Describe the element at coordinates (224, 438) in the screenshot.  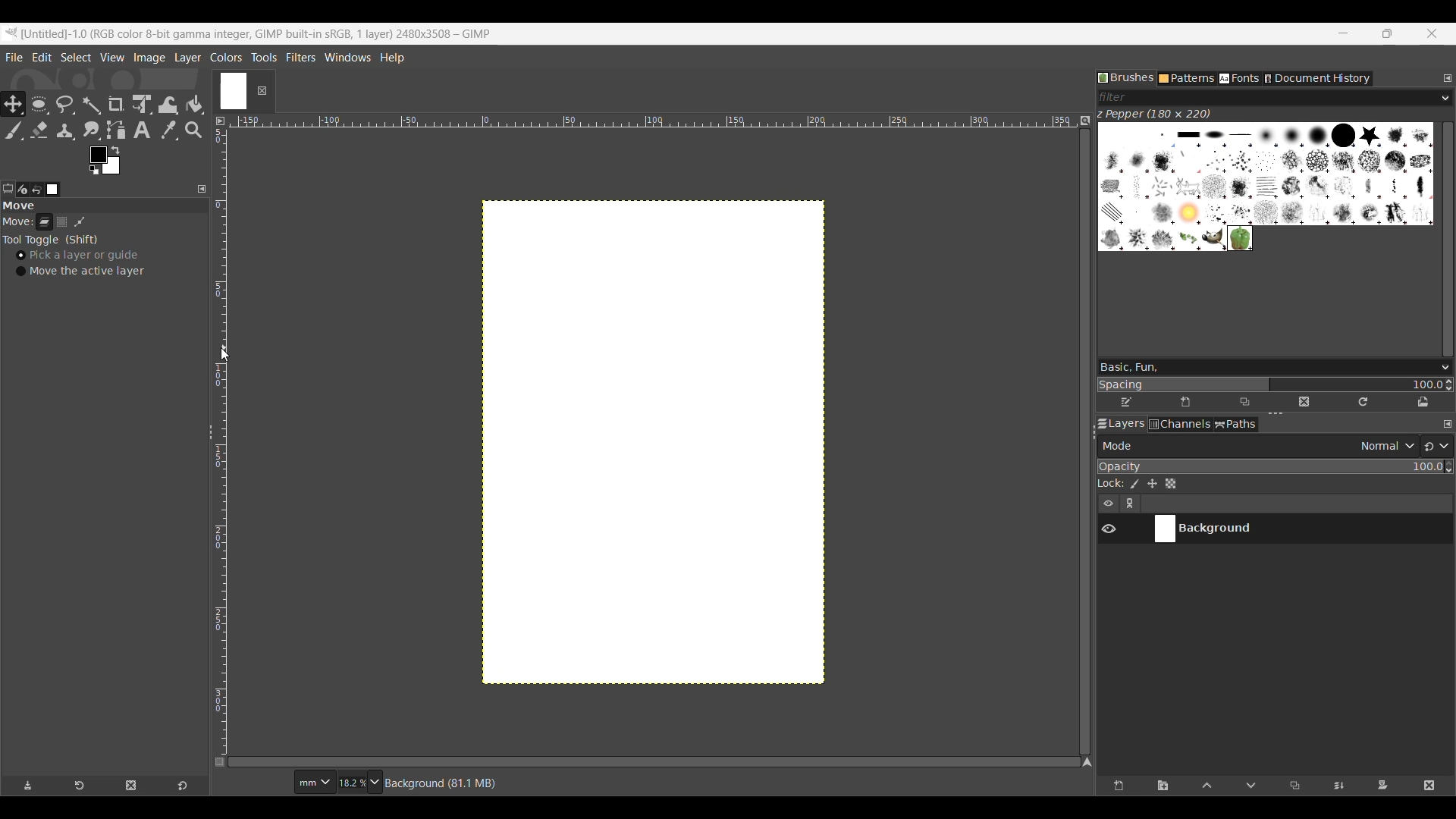
I see `Vertical ruler` at that location.